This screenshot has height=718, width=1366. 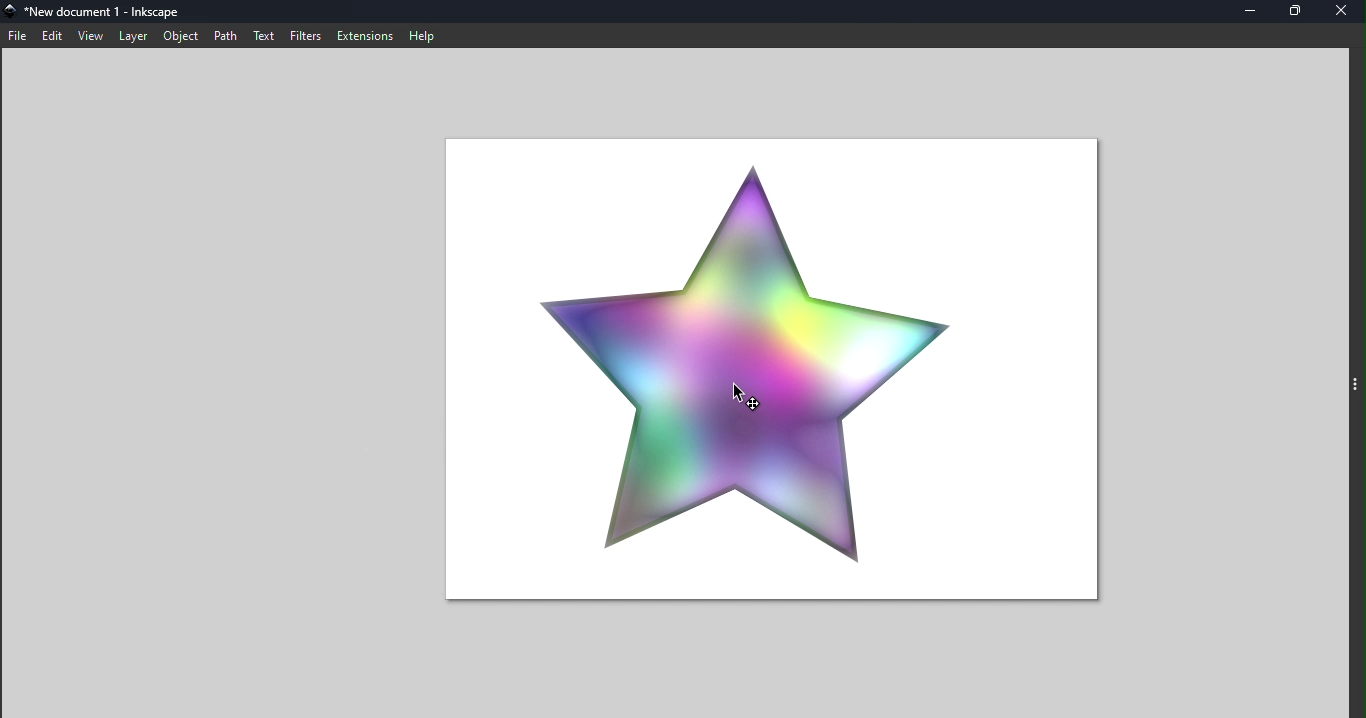 What do you see at coordinates (362, 34) in the screenshot?
I see `Extensions` at bounding box center [362, 34].